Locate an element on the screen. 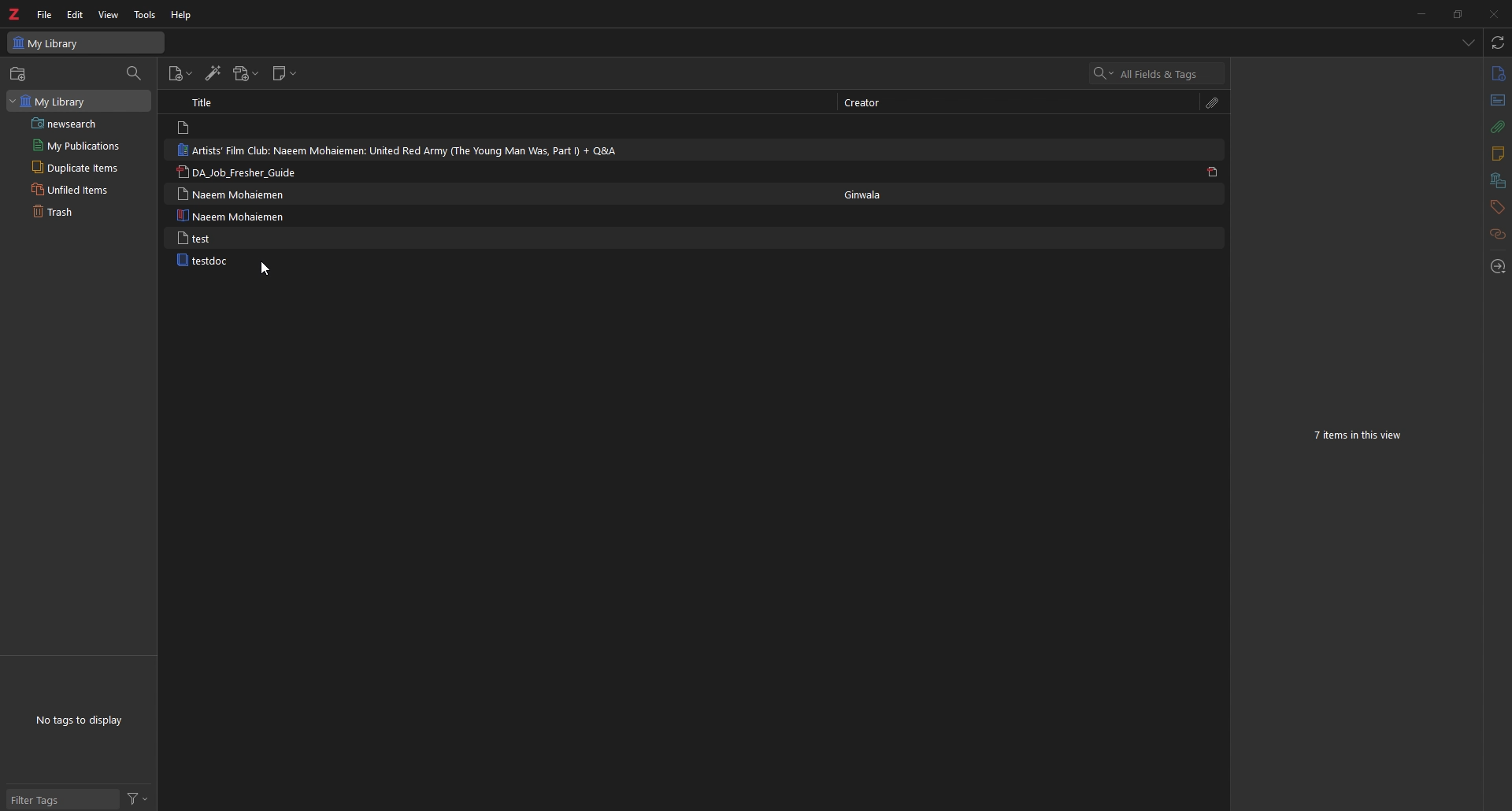 The height and width of the screenshot is (811, 1512). sync with zotero.org is located at coordinates (1497, 42).